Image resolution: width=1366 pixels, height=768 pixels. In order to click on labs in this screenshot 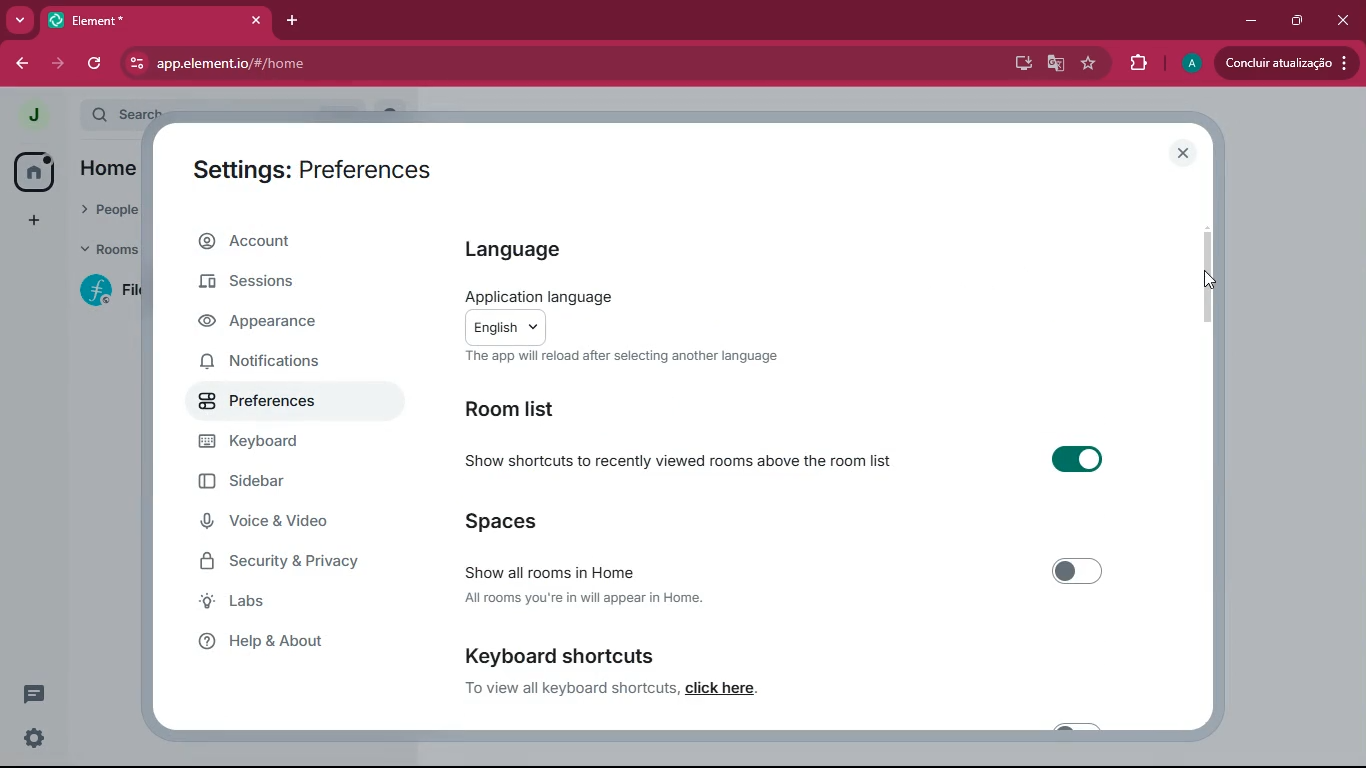, I will do `click(272, 606)`.